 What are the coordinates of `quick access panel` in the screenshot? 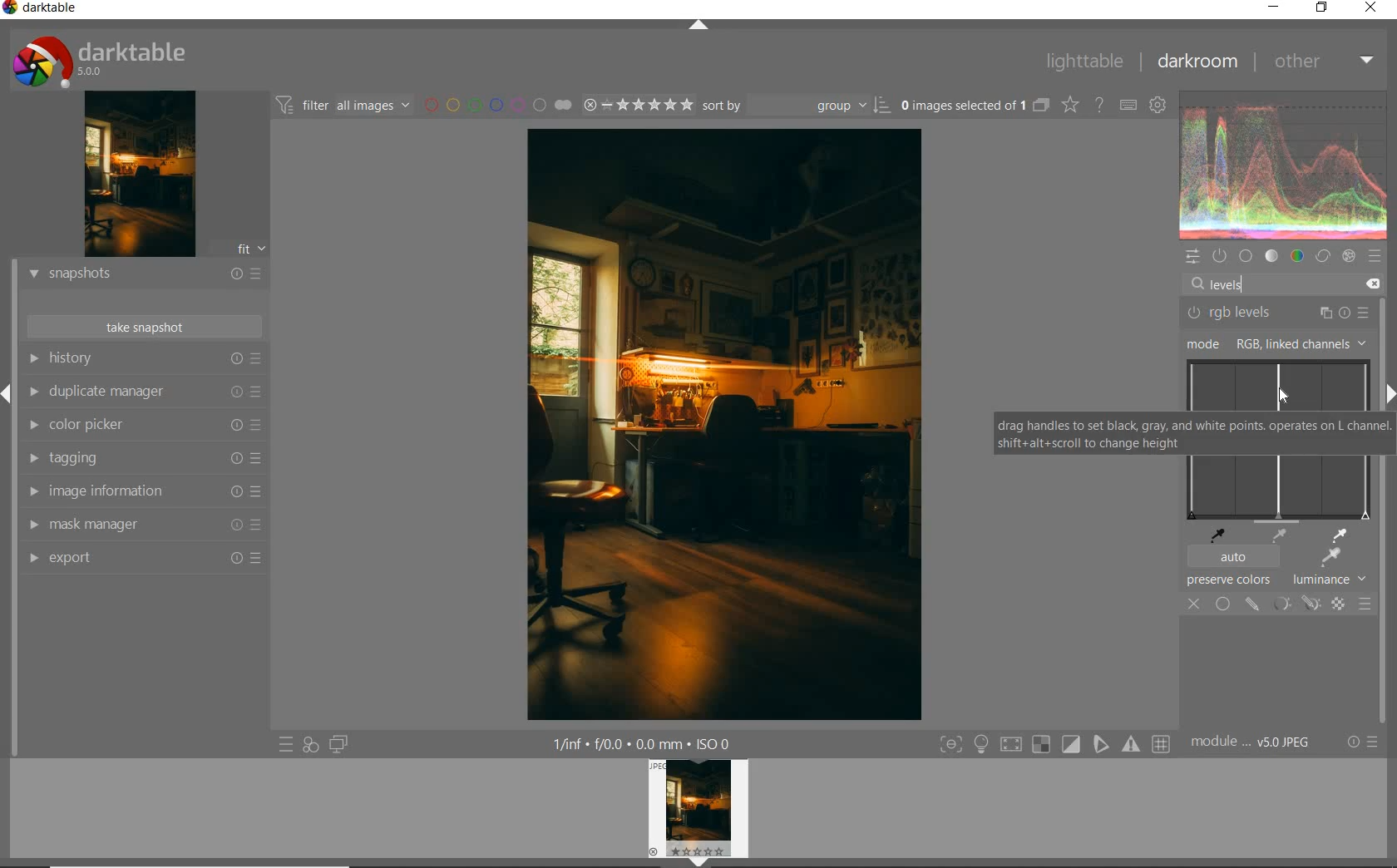 It's located at (1191, 257).